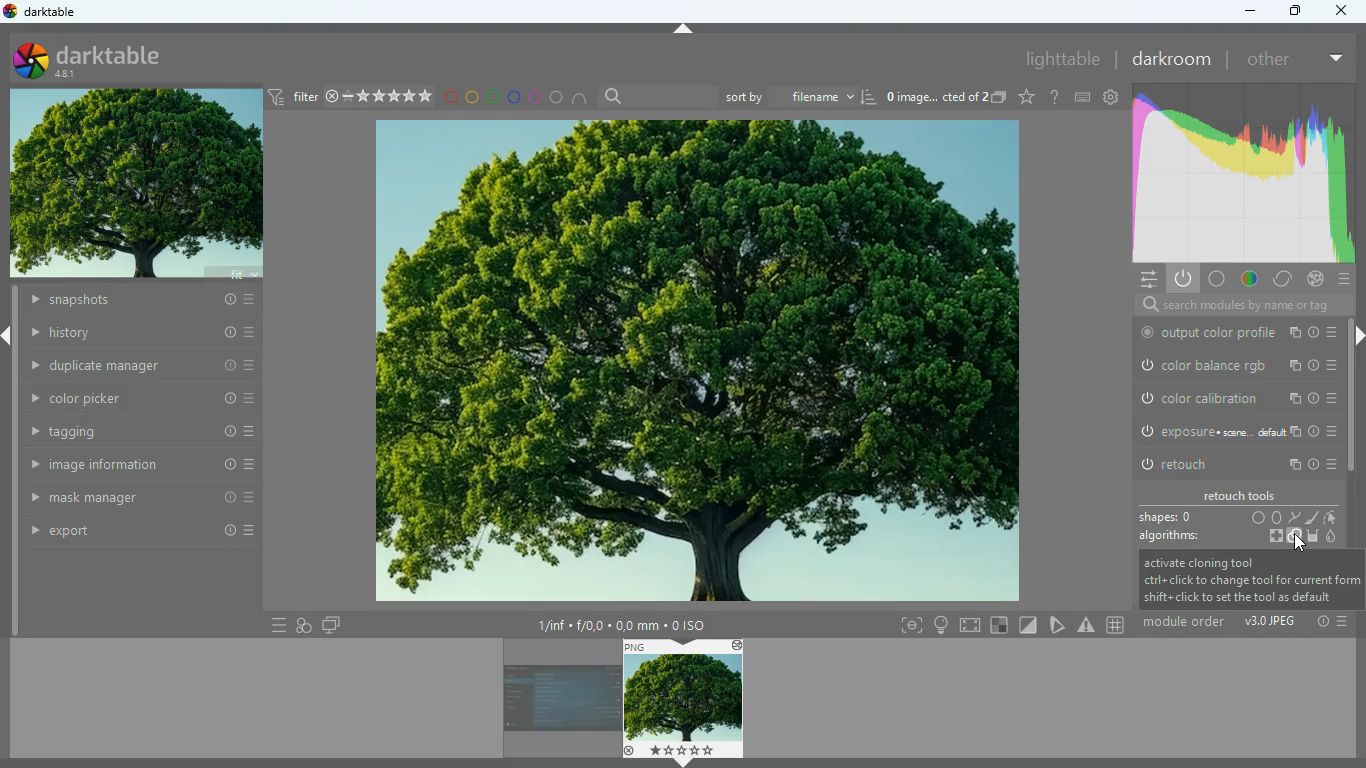 The height and width of the screenshot is (768, 1366). Describe the element at coordinates (1110, 99) in the screenshot. I see `settings` at that location.